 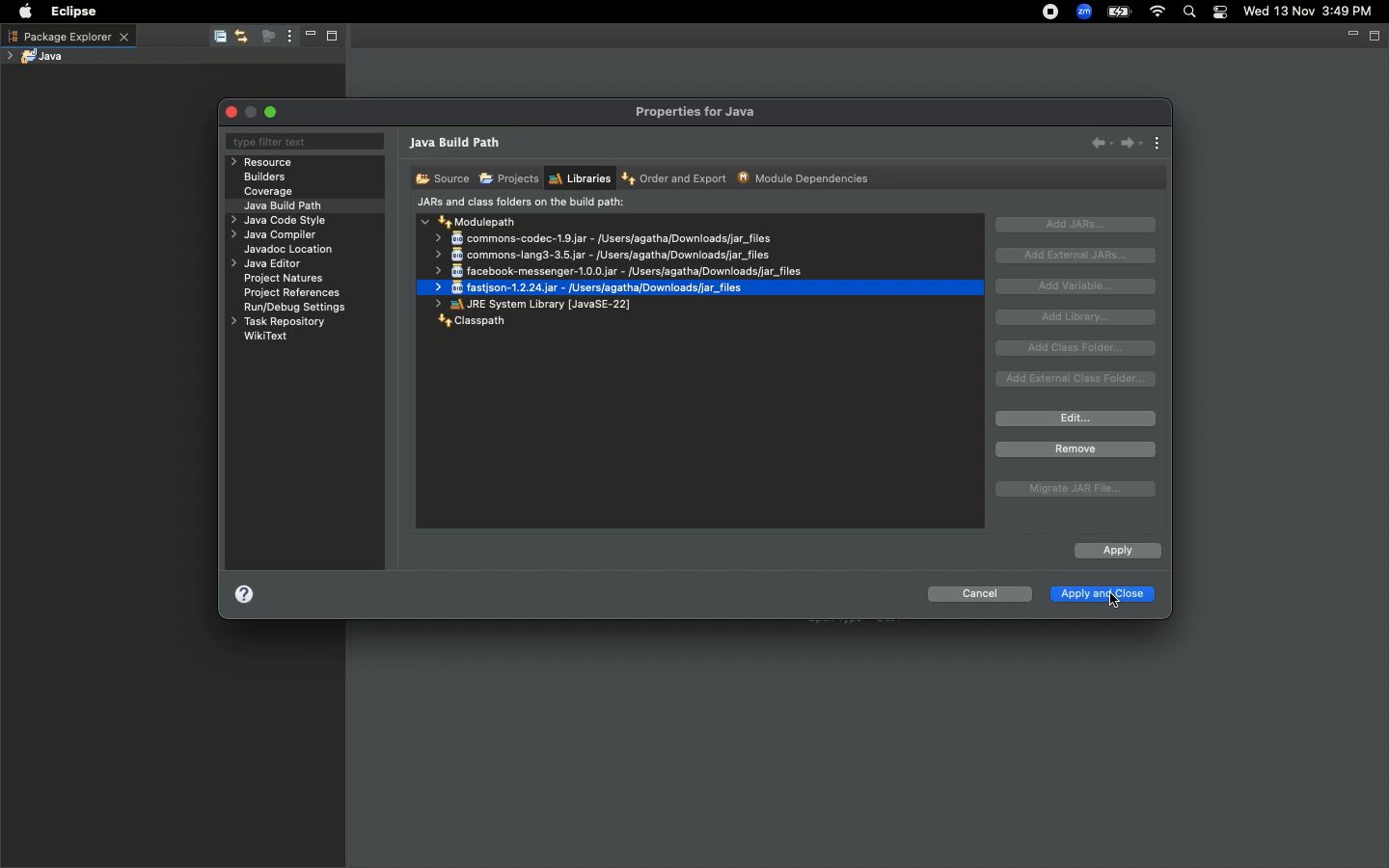 What do you see at coordinates (303, 143) in the screenshot?
I see `Type filter text` at bounding box center [303, 143].